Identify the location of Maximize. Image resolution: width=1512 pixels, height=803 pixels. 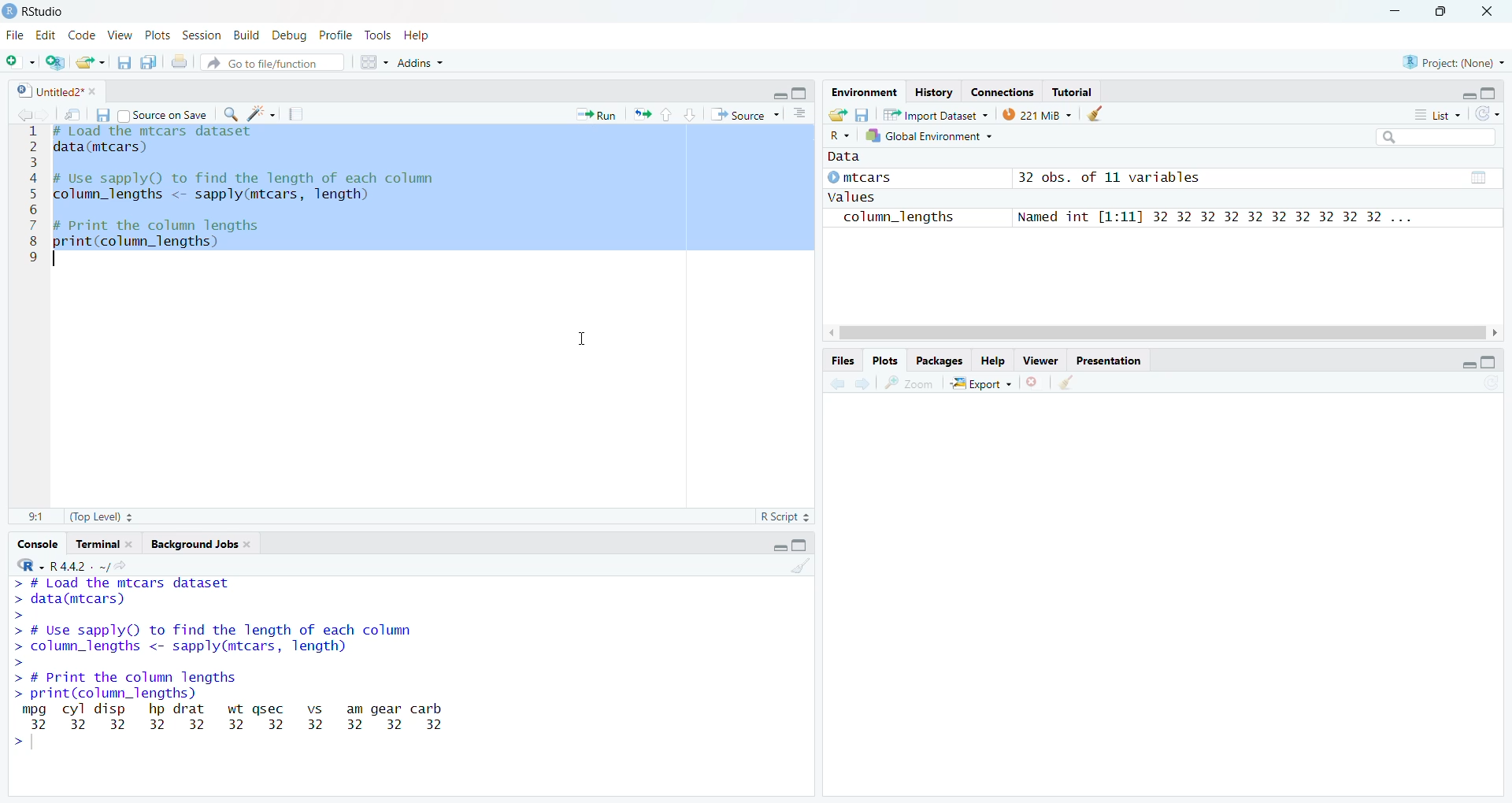
(1445, 13).